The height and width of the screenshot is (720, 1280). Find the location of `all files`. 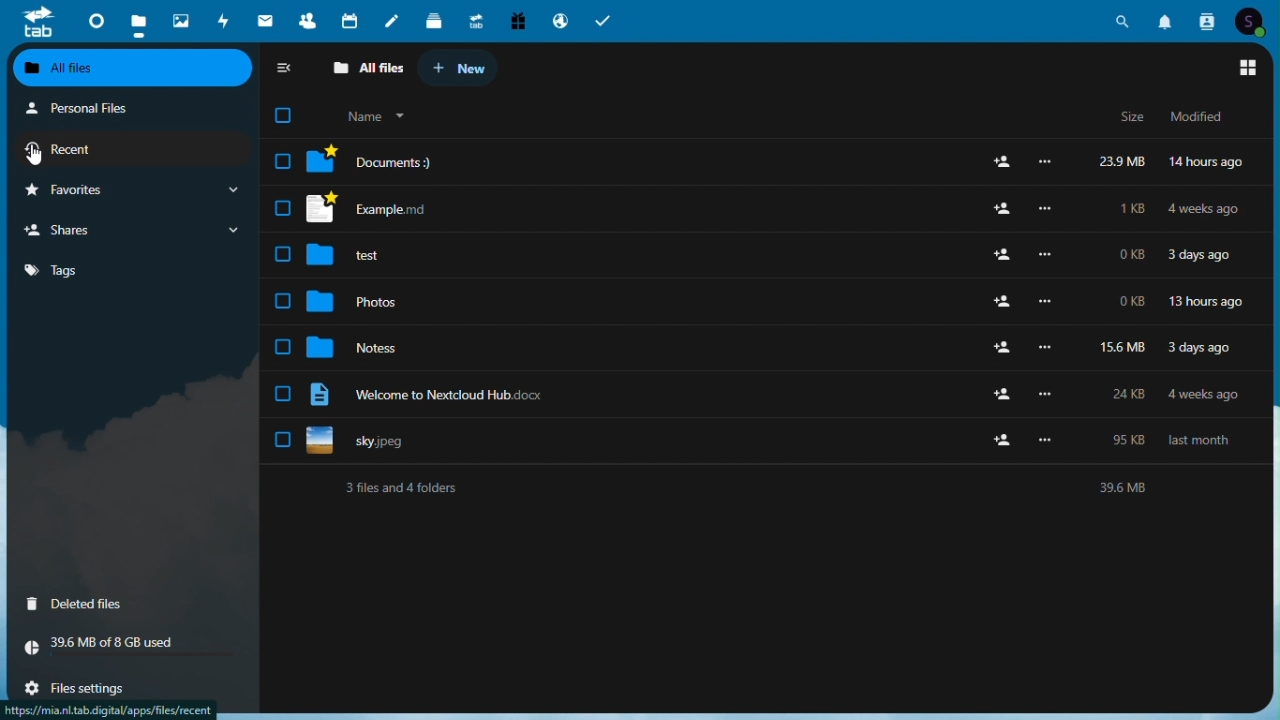

all files is located at coordinates (134, 66).